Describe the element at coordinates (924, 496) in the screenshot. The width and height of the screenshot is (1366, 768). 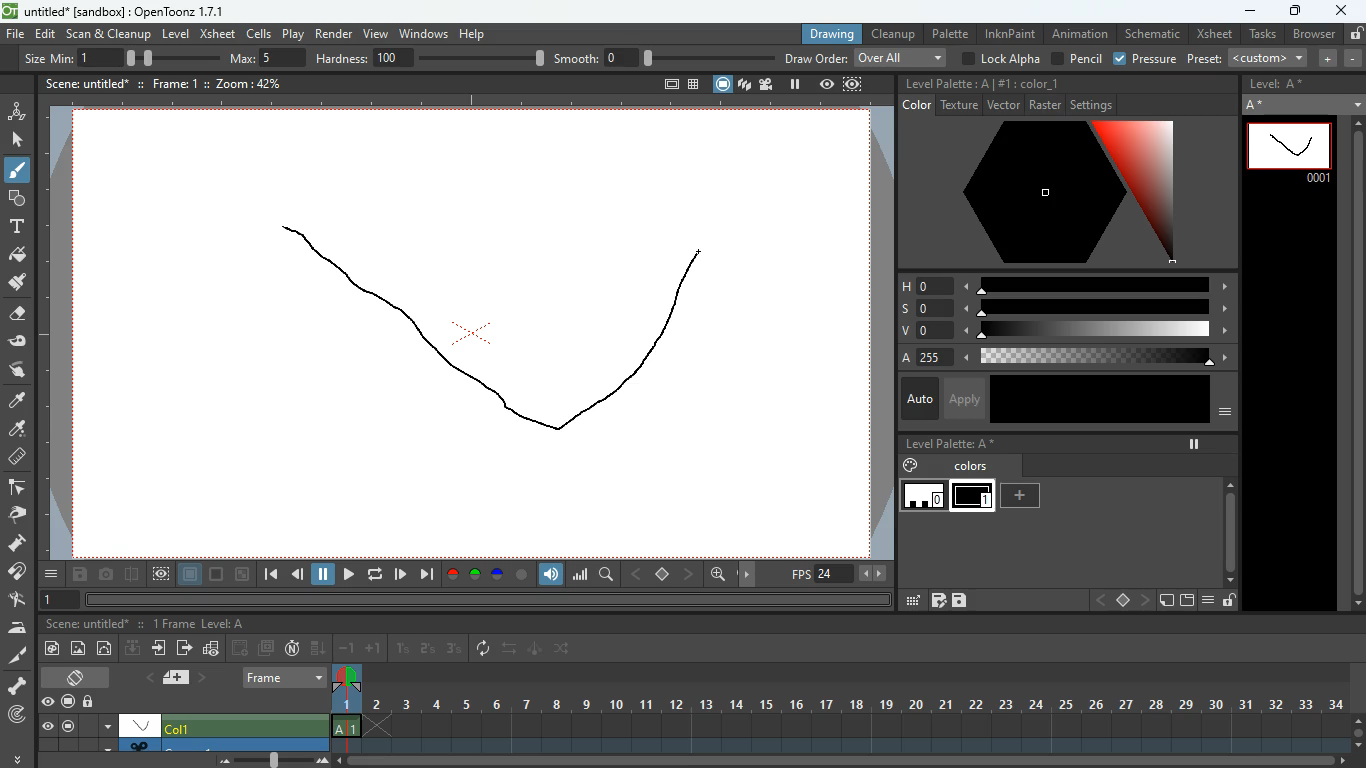
I see `frame0` at that location.